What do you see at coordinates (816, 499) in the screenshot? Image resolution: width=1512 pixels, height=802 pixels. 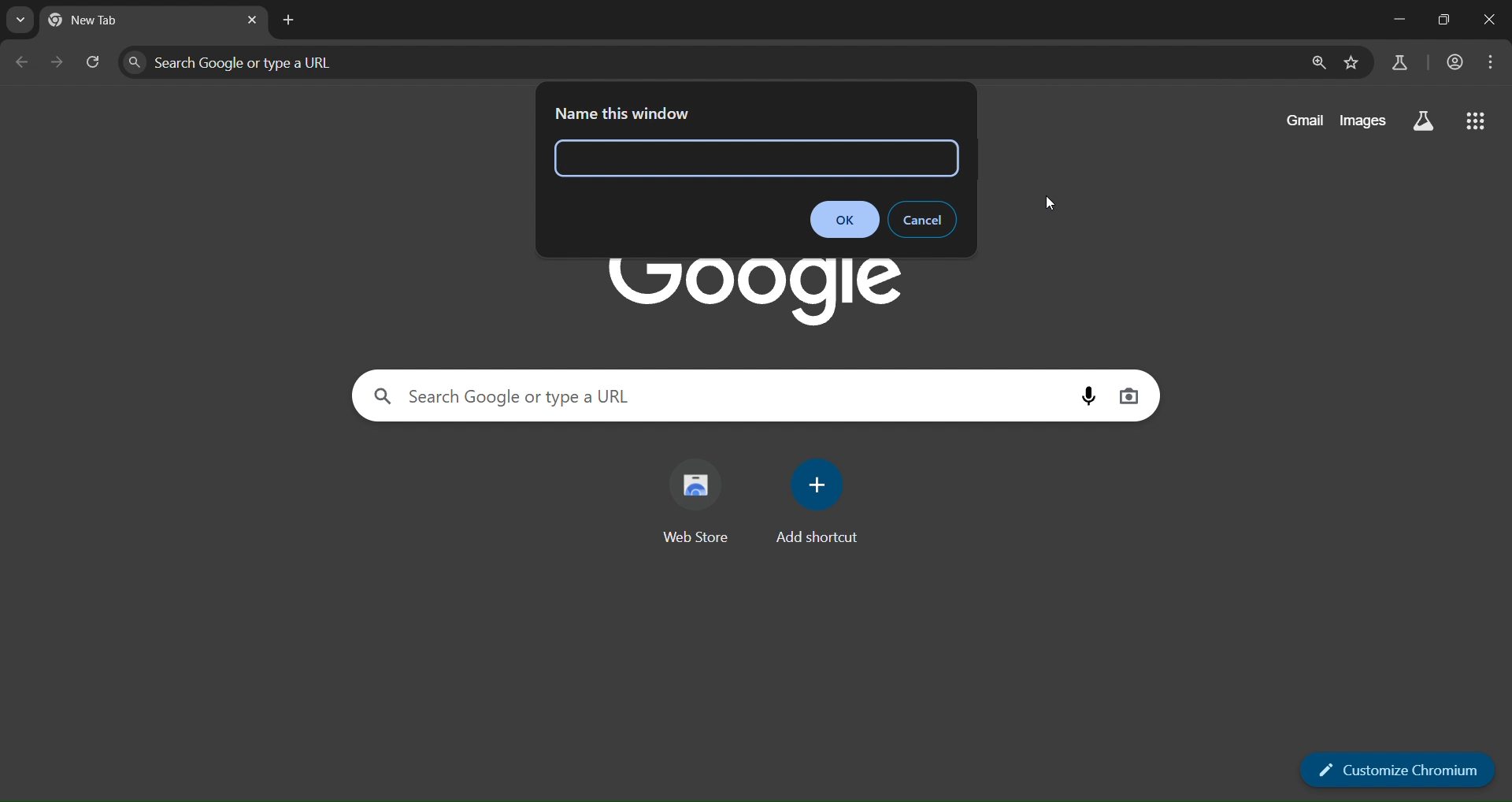 I see `add shortcut` at bounding box center [816, 499].